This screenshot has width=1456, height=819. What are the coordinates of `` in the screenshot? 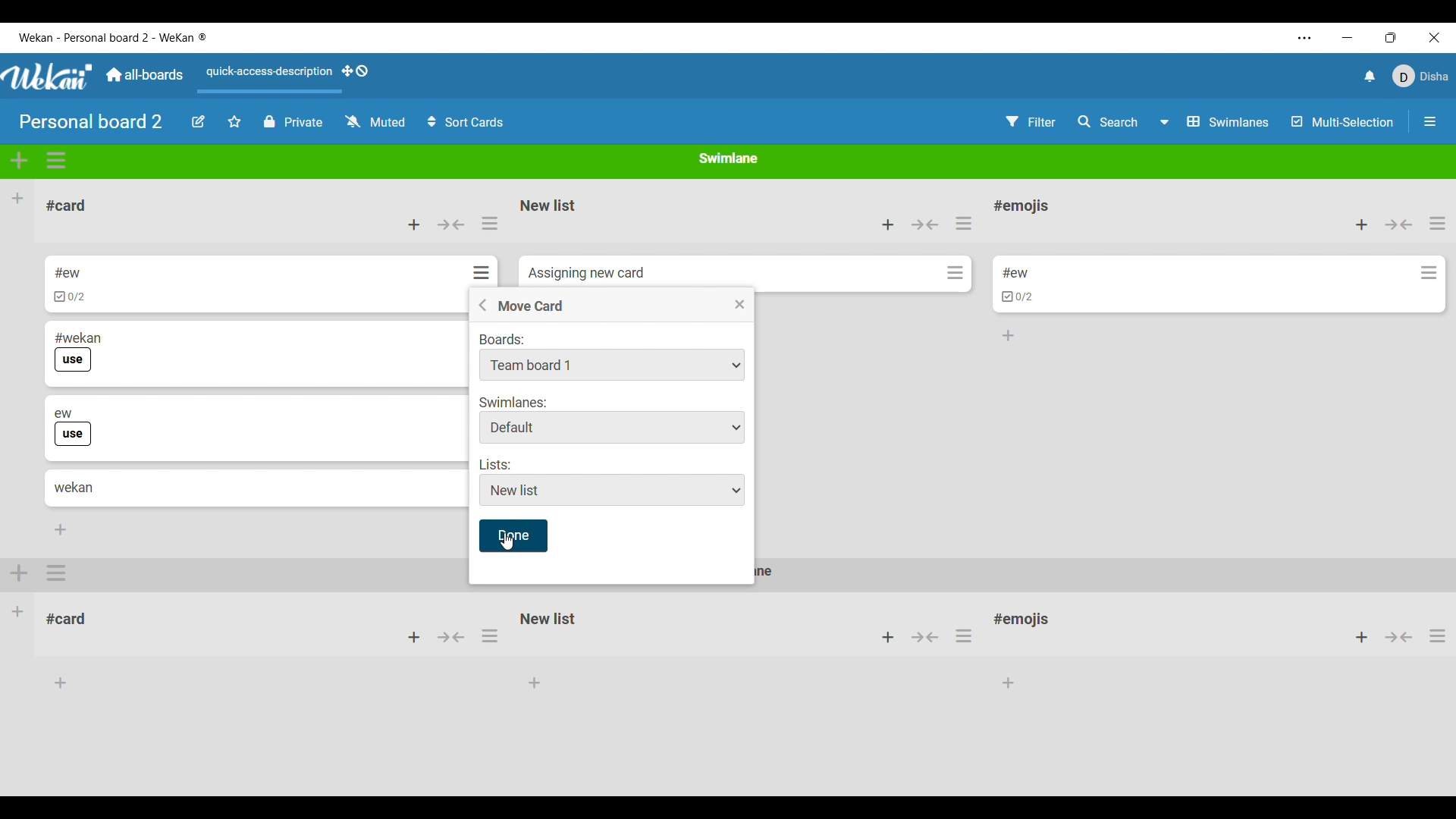 It's located at (1400, 639).